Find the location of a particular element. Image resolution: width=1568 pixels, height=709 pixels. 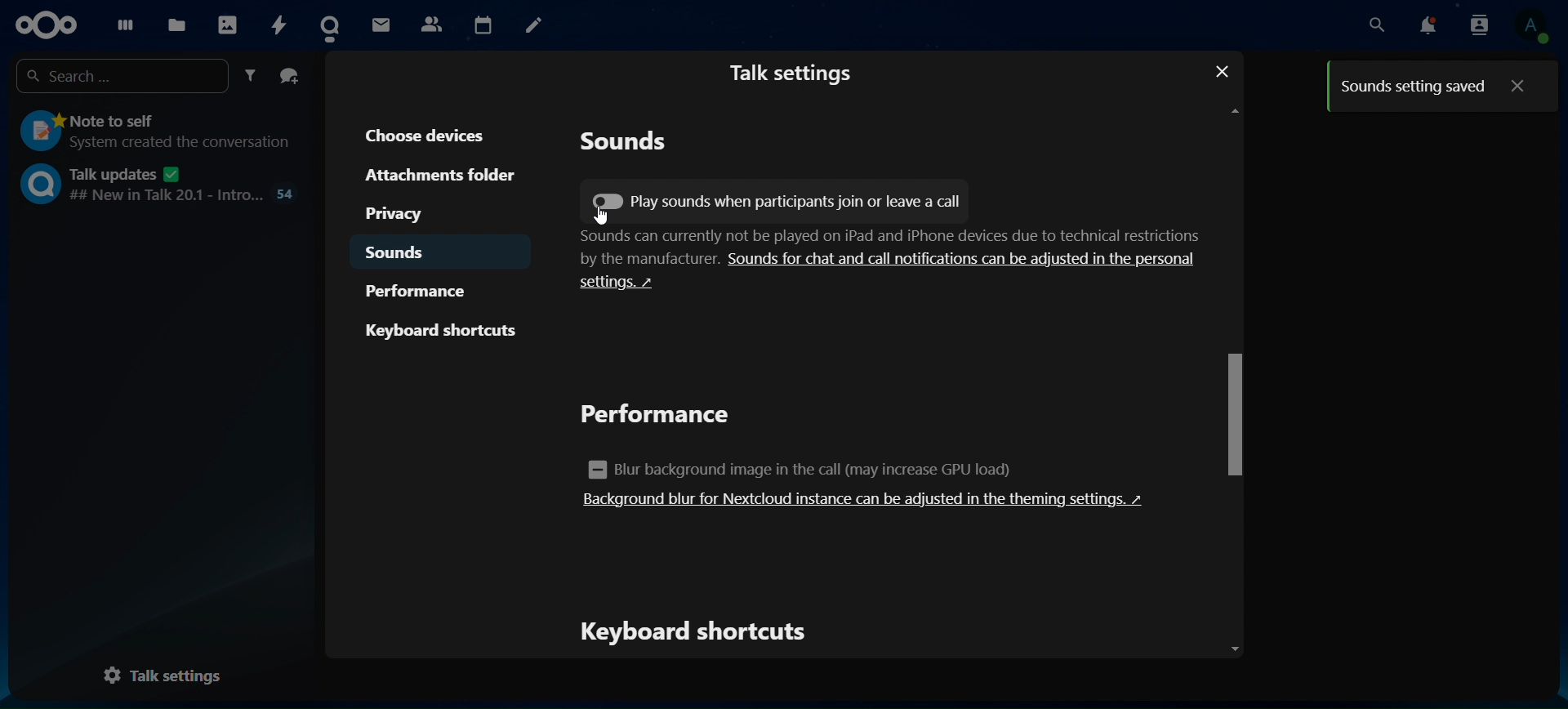

talk settings is located at coordinates (792, 71).